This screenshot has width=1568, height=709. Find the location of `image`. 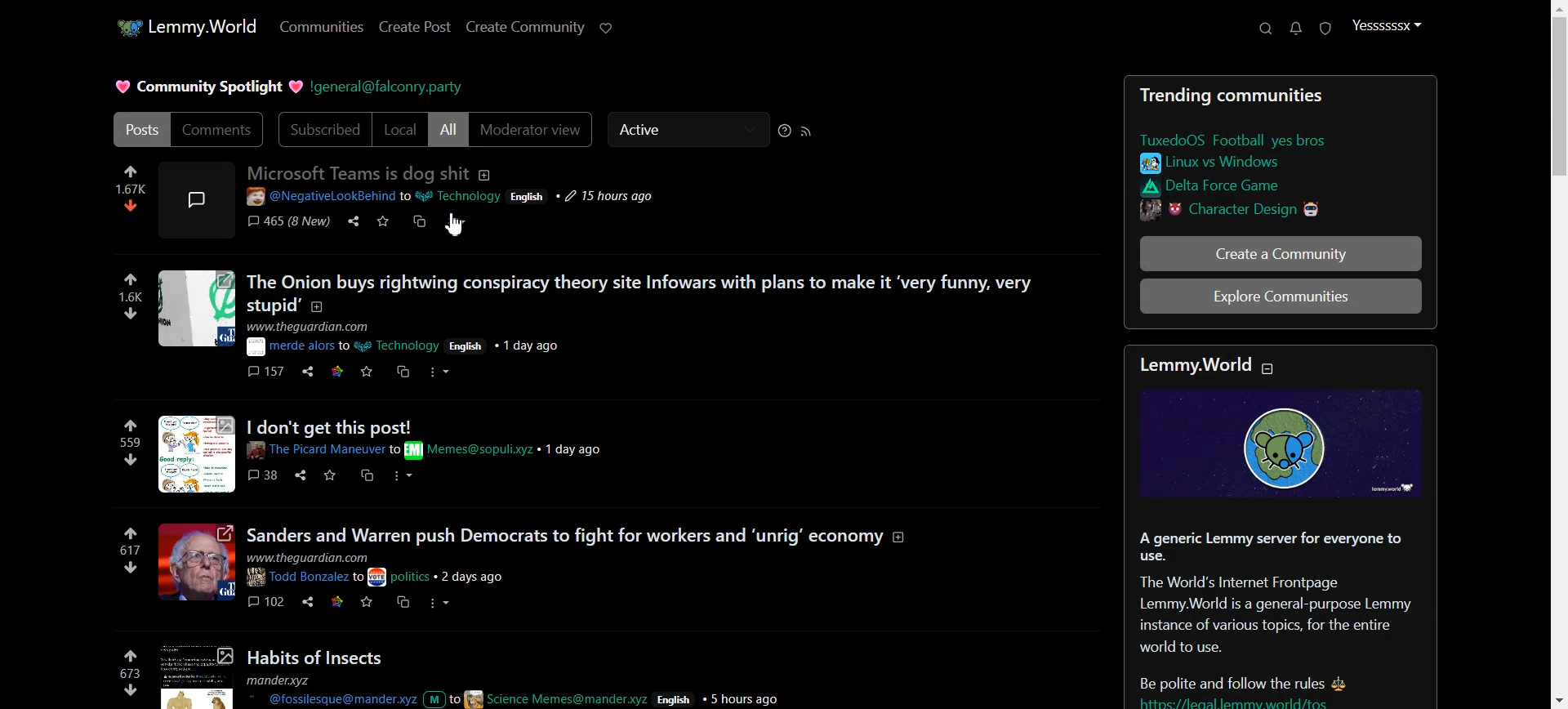

image is located at coordinates (194, 676).